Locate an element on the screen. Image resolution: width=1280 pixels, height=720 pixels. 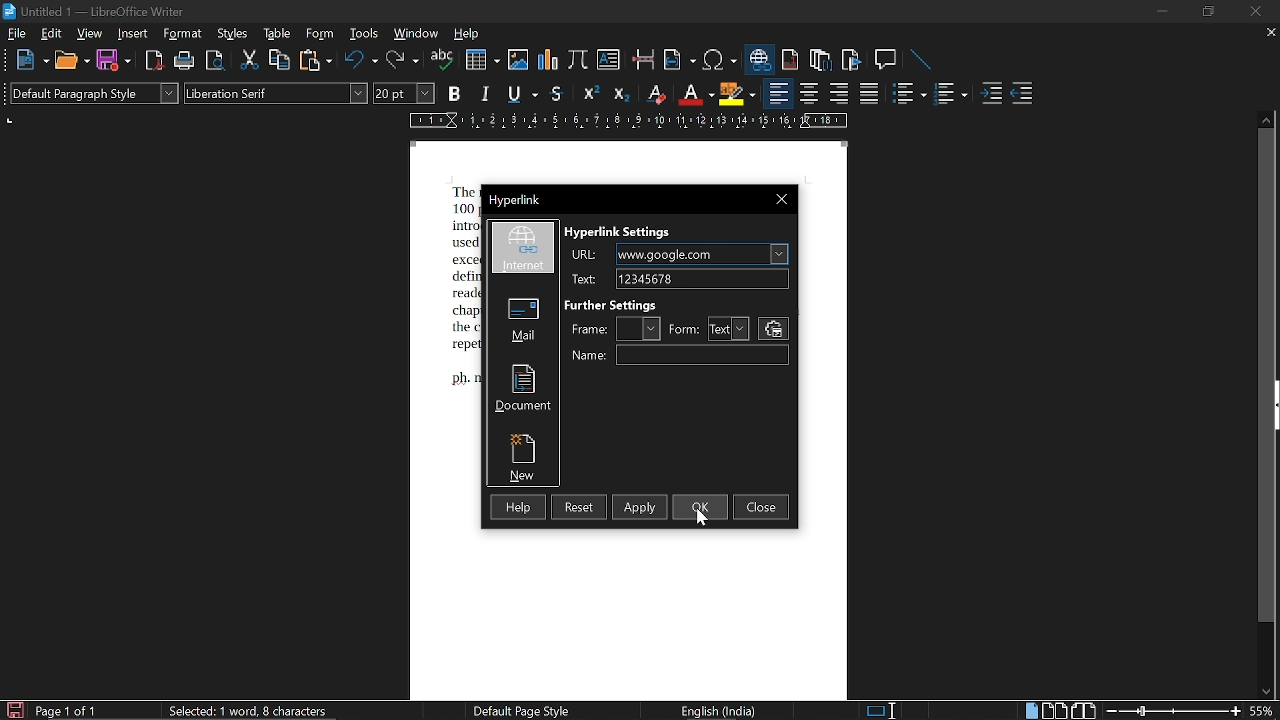
align center is located at coordinates (810, 95).